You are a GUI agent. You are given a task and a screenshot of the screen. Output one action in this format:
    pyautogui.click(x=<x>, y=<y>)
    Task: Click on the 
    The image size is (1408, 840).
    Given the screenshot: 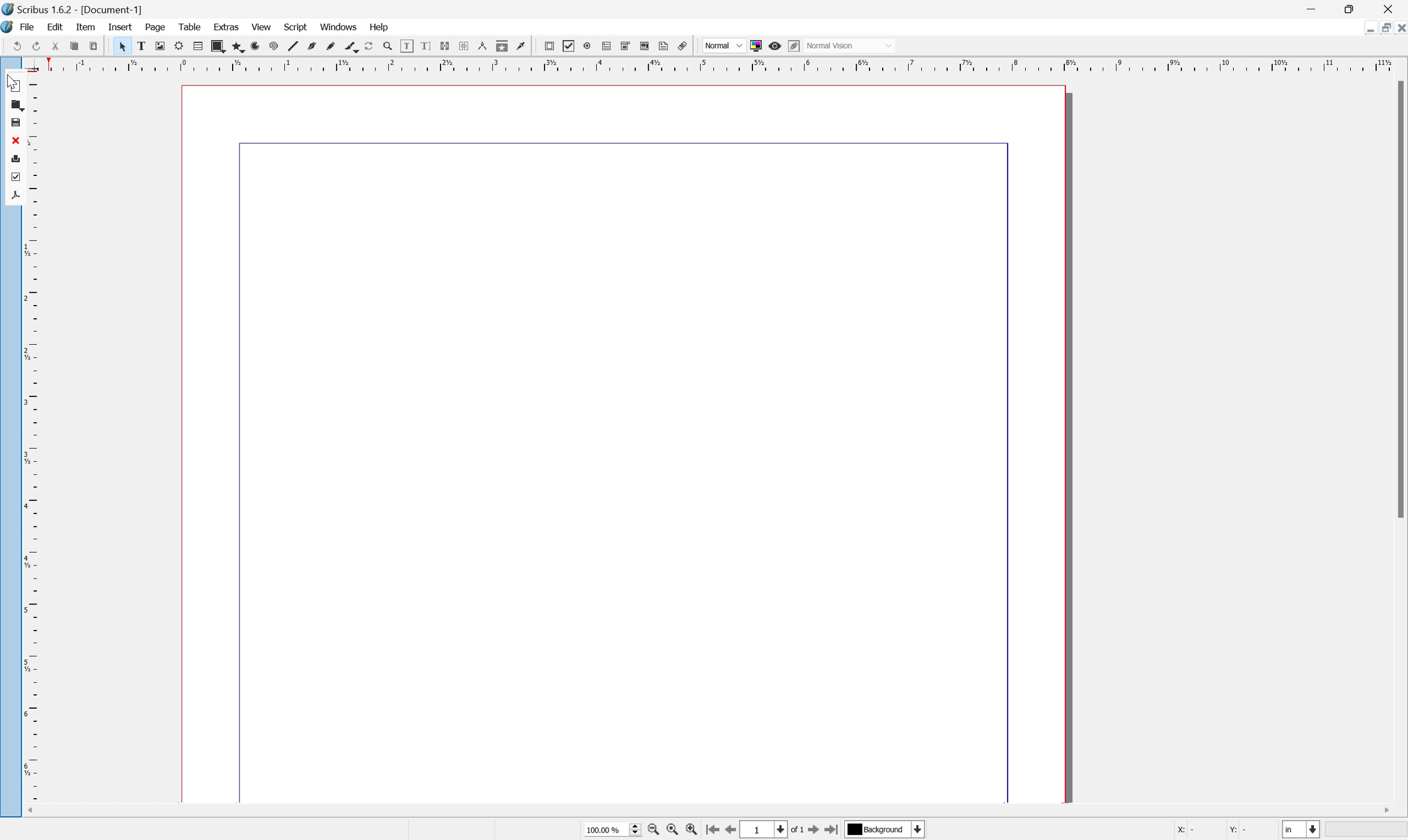 What is the action you would take?
    pyautogui.click(x=724, y=46)
    